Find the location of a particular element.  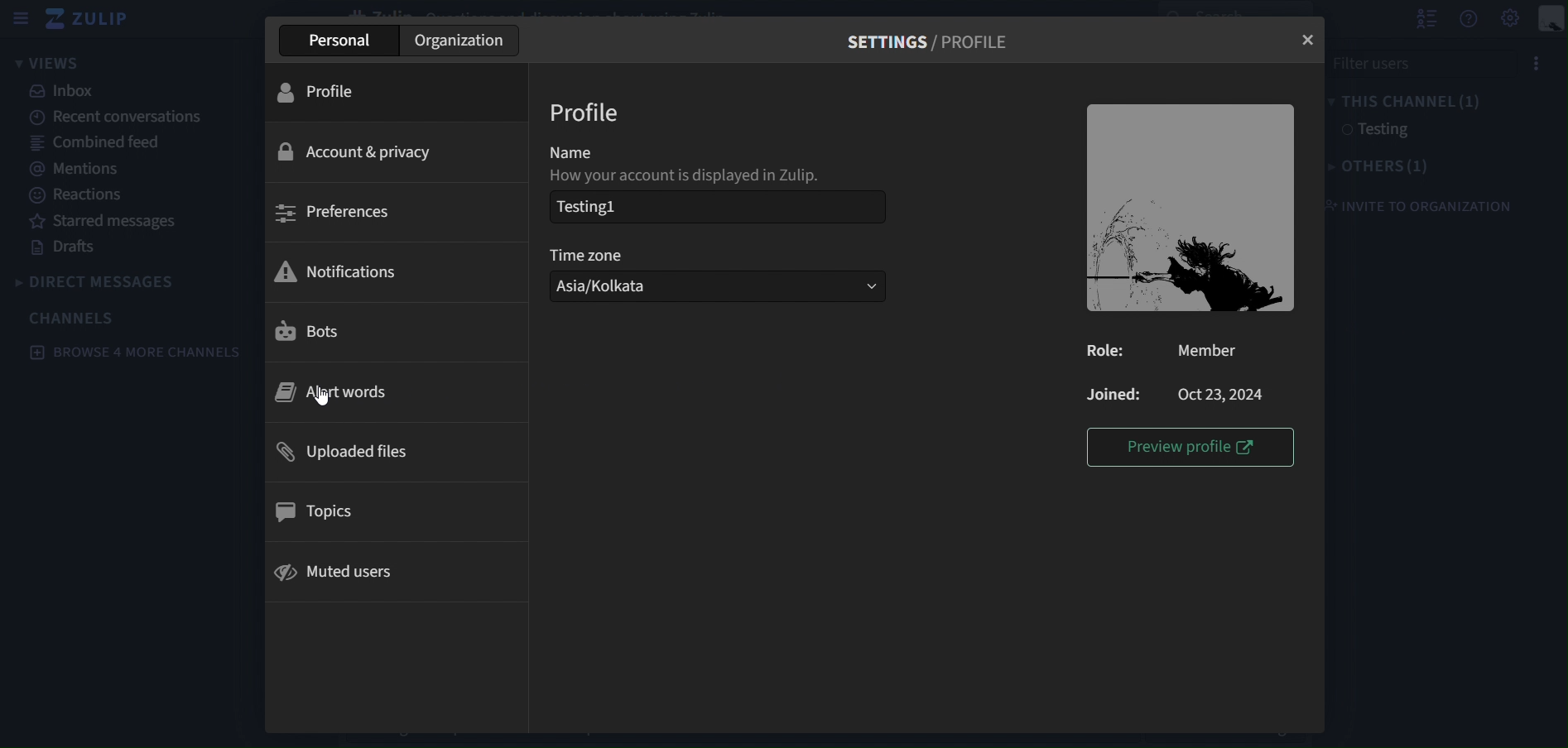

personal is located at coordinates (336, 39).